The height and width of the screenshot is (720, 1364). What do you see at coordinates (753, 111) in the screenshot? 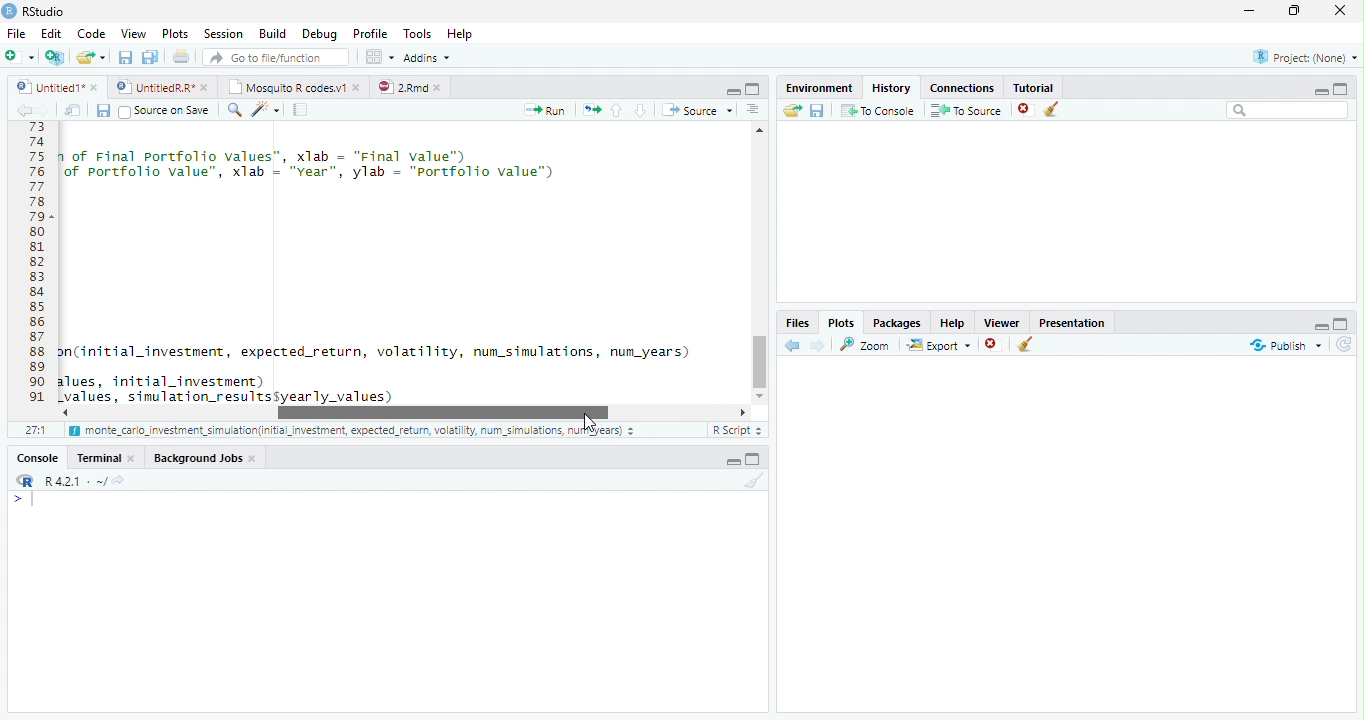
I see `Show document outline` at bounding box center [753, 111].